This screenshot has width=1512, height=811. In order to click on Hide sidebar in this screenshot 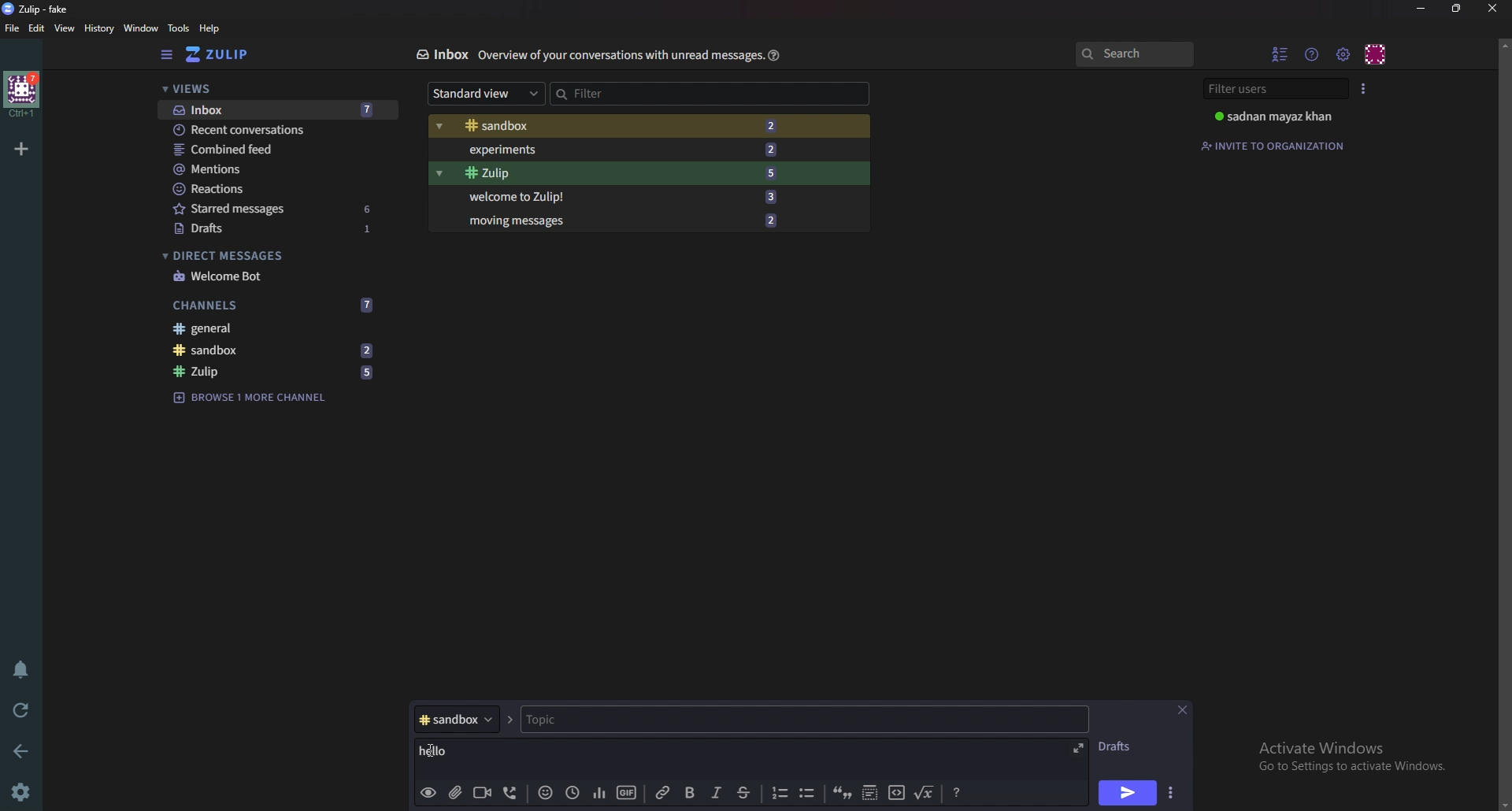, I will do `click(167, 55)`.